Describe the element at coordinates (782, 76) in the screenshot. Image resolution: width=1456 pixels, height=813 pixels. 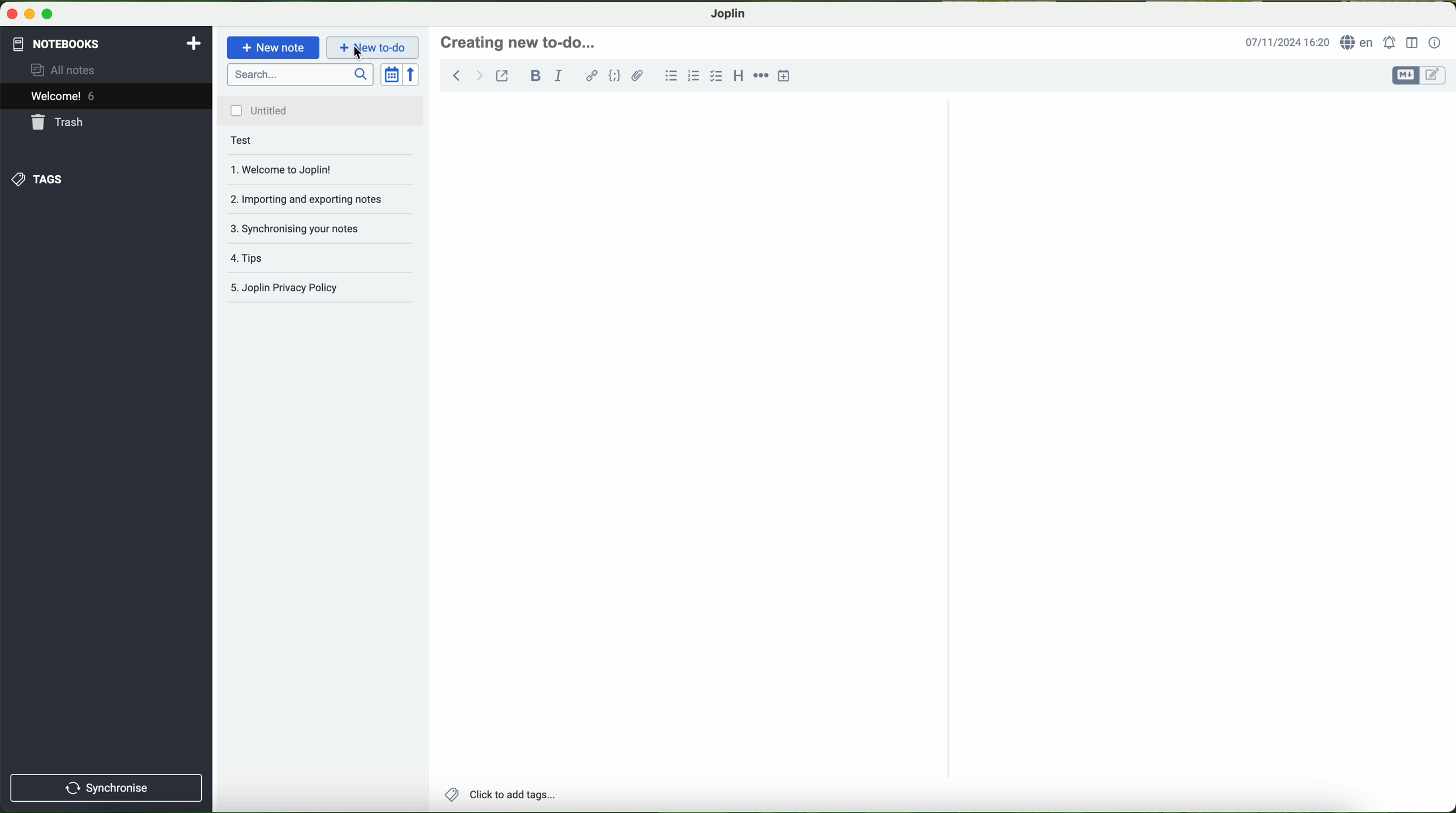
I see `insert time` at that location.